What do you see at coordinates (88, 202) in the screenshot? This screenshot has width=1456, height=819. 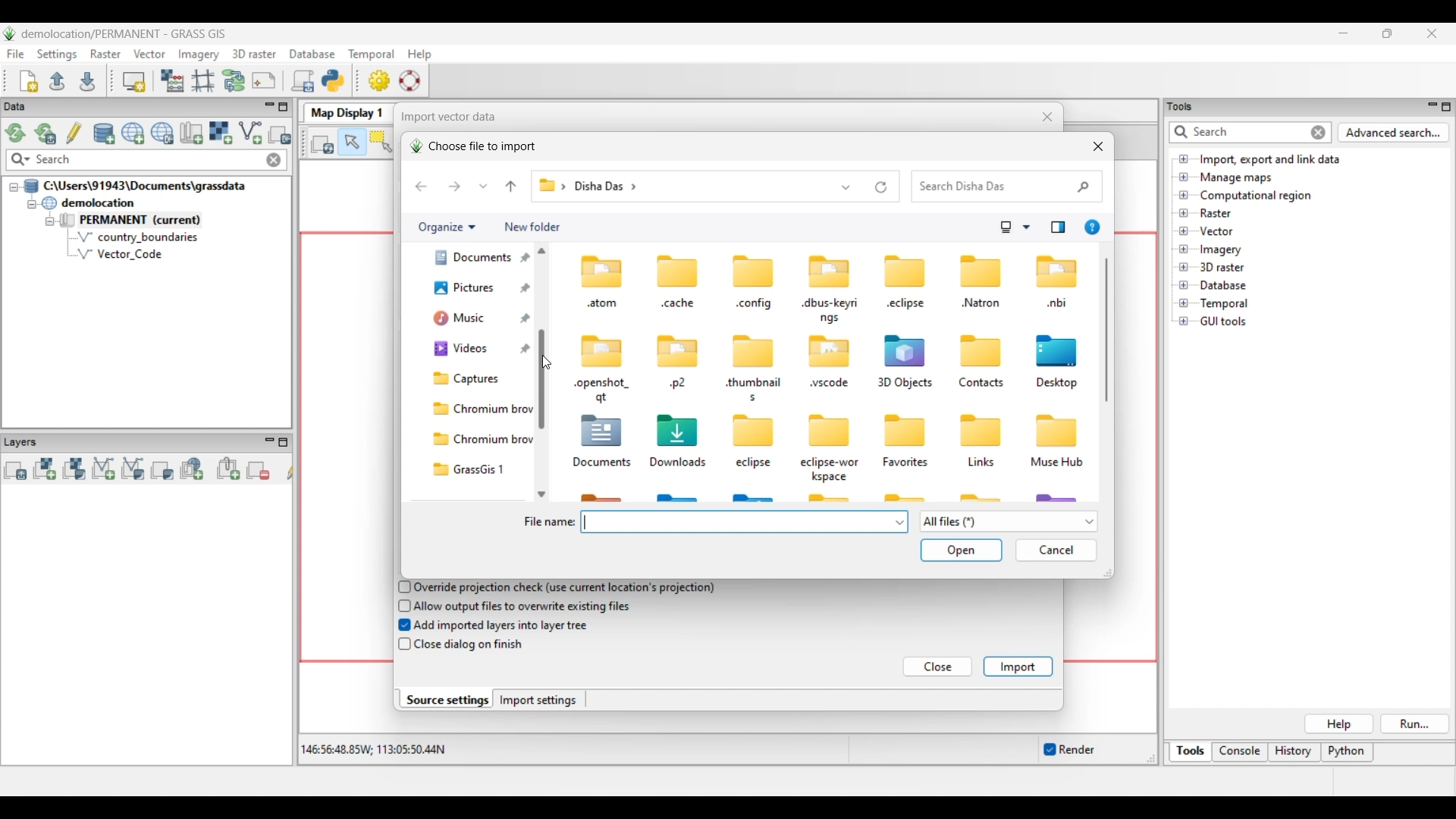 I see `Double click to collapse demolocation` at bounding box center [88, 202].